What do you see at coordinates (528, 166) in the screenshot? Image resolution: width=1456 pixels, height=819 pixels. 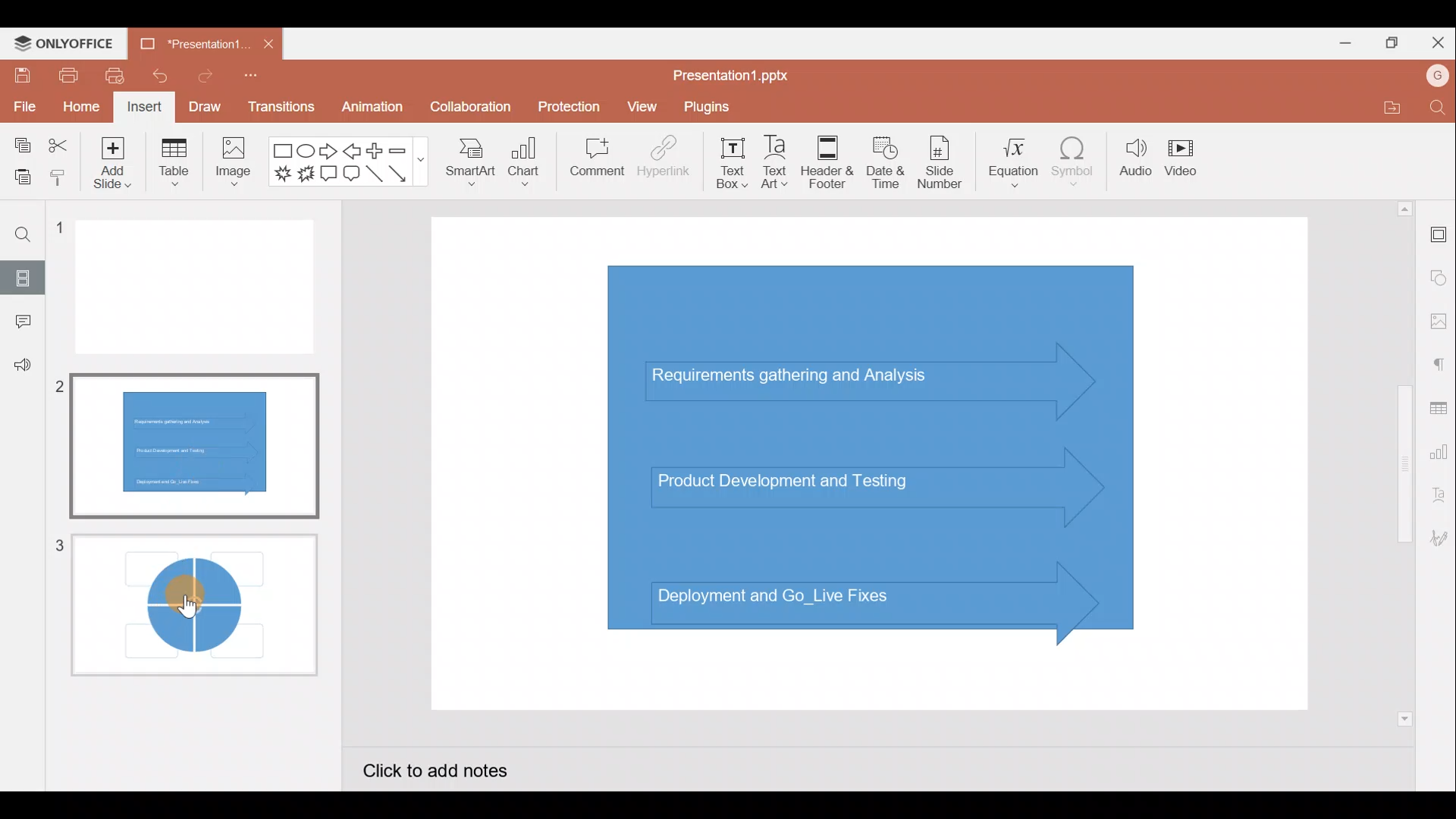 I see `Chart` at bounding box center [528, 166].